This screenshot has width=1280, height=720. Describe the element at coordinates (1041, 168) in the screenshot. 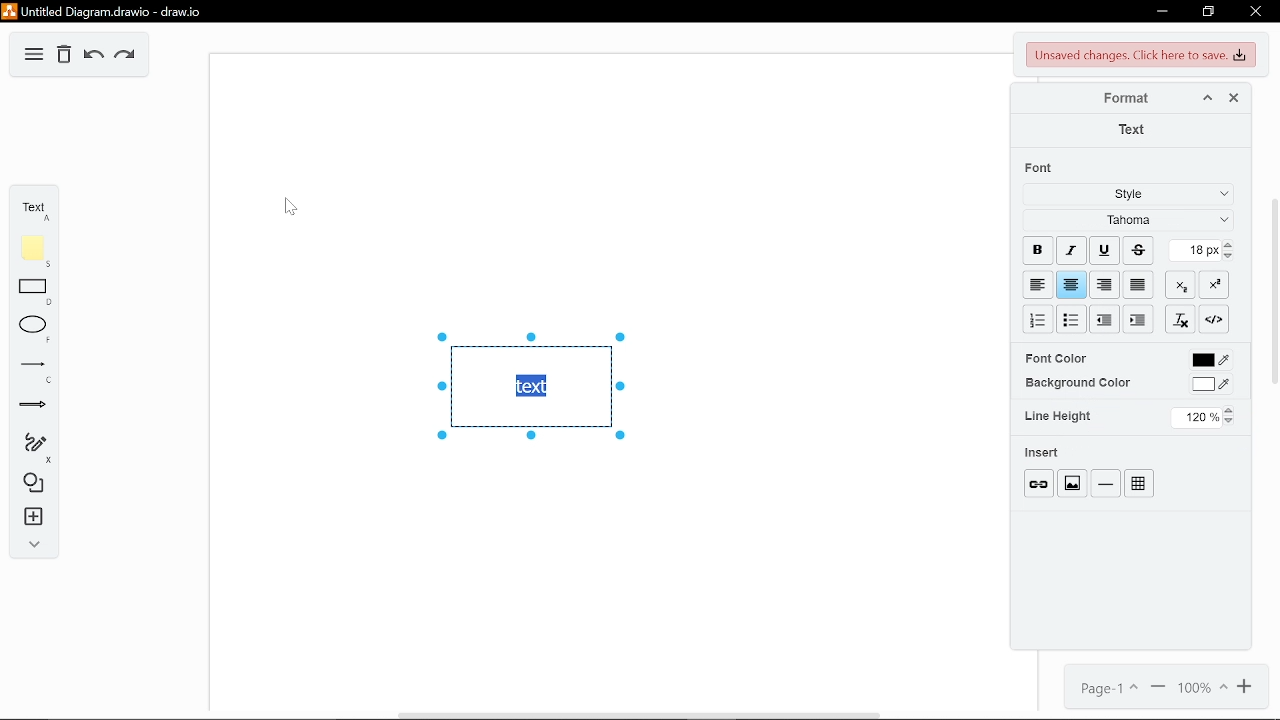

I see `font` at that location.